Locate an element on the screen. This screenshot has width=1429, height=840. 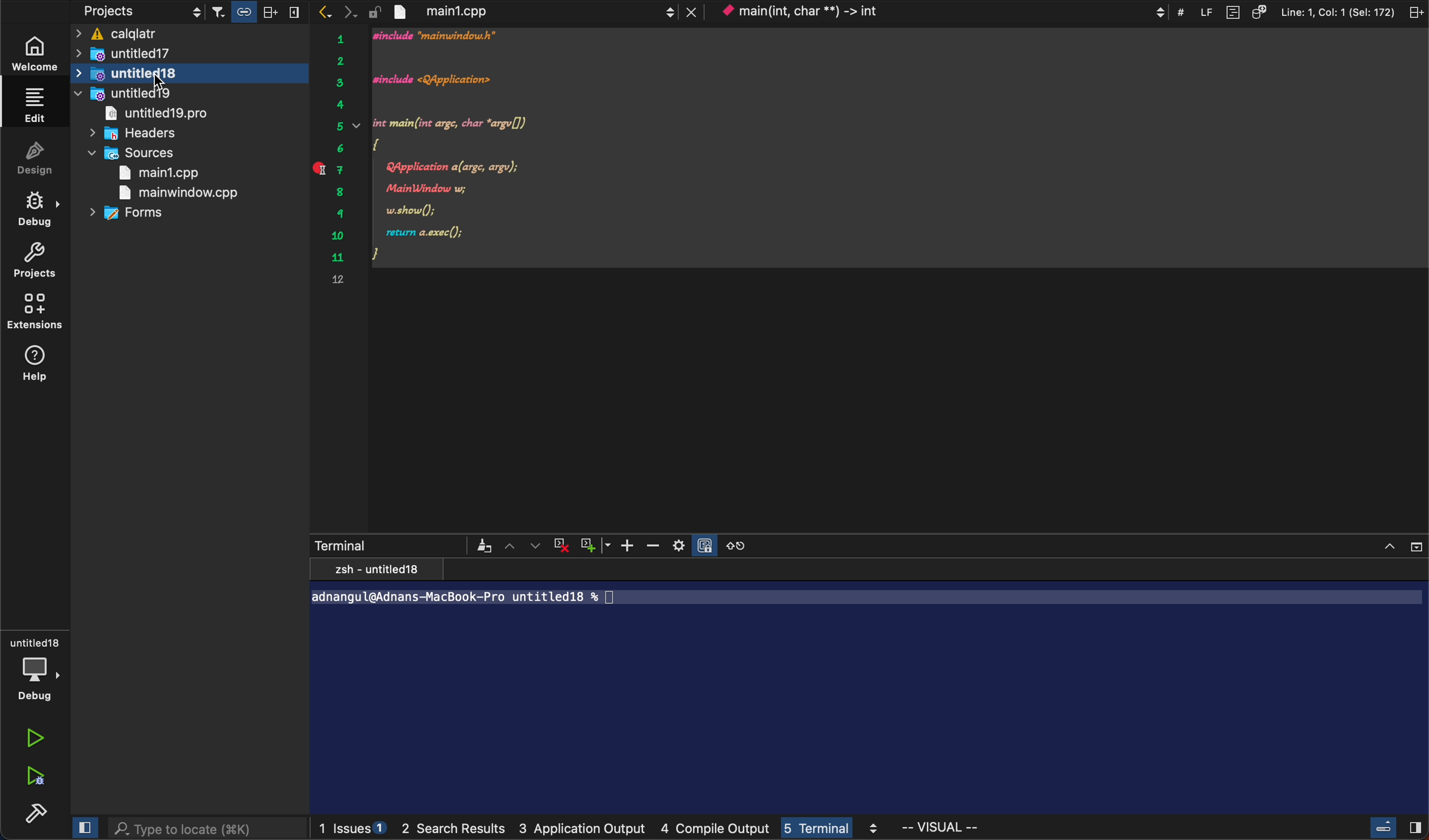
projects is located at coordinates (124, 11).